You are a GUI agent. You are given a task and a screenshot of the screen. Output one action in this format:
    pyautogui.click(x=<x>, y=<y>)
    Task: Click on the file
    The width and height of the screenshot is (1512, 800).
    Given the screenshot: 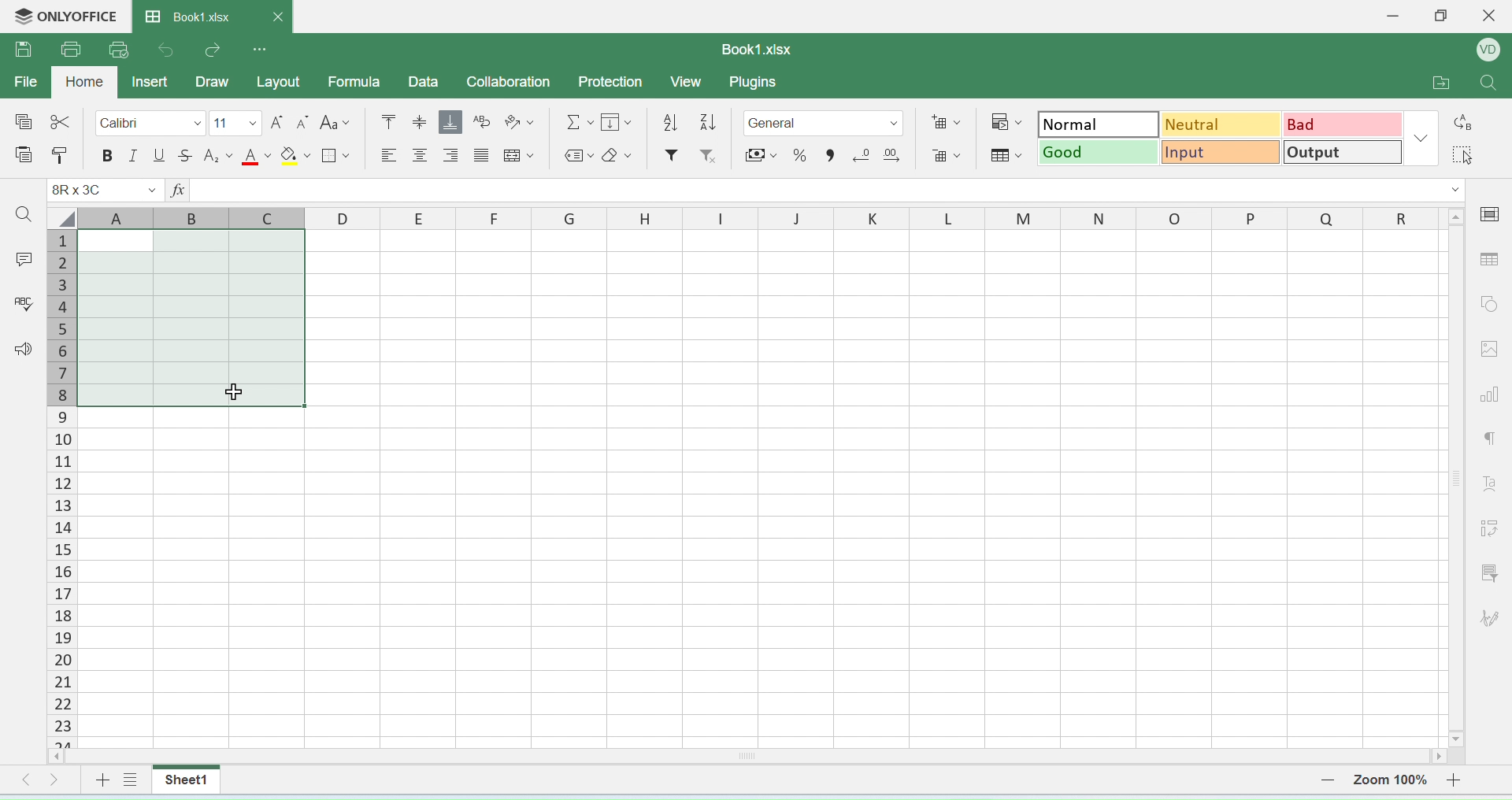 What is the action you would take?
    pyautogui.click(x=29, y=84)
    